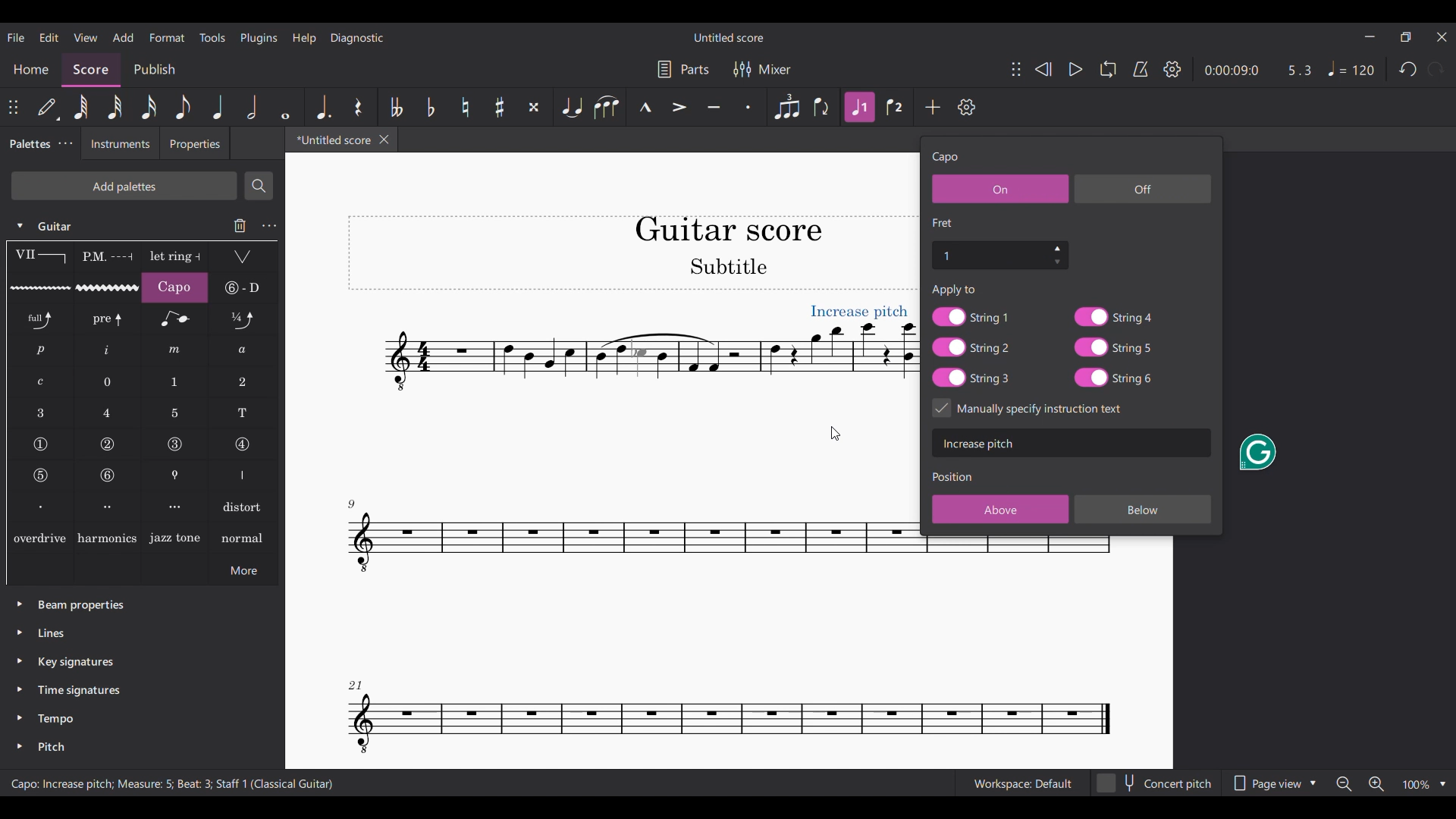 This screenshot has width=1456, height=819. Describe the element at coordinates (40, 413) in the screenshot. I see `LH guitar fingering 3` at that location.